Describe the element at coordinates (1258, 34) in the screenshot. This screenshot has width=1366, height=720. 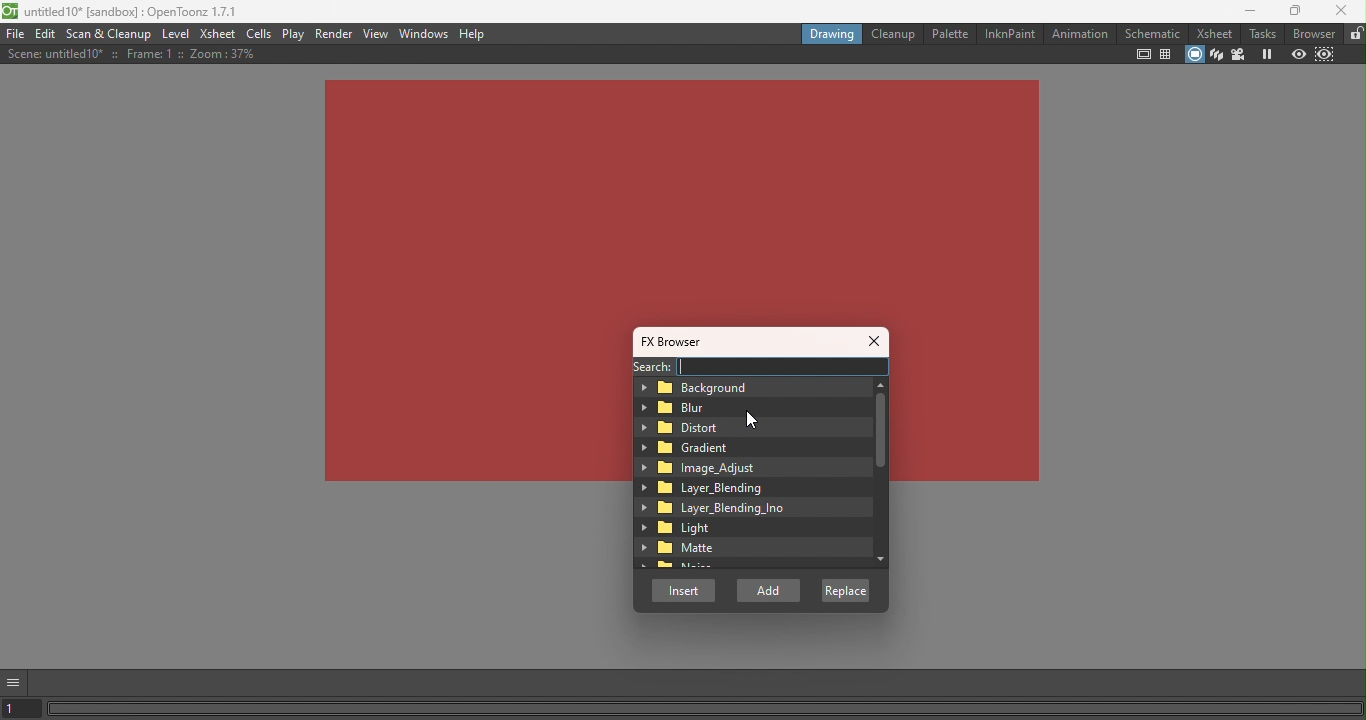
I see `Tasks` at that location.